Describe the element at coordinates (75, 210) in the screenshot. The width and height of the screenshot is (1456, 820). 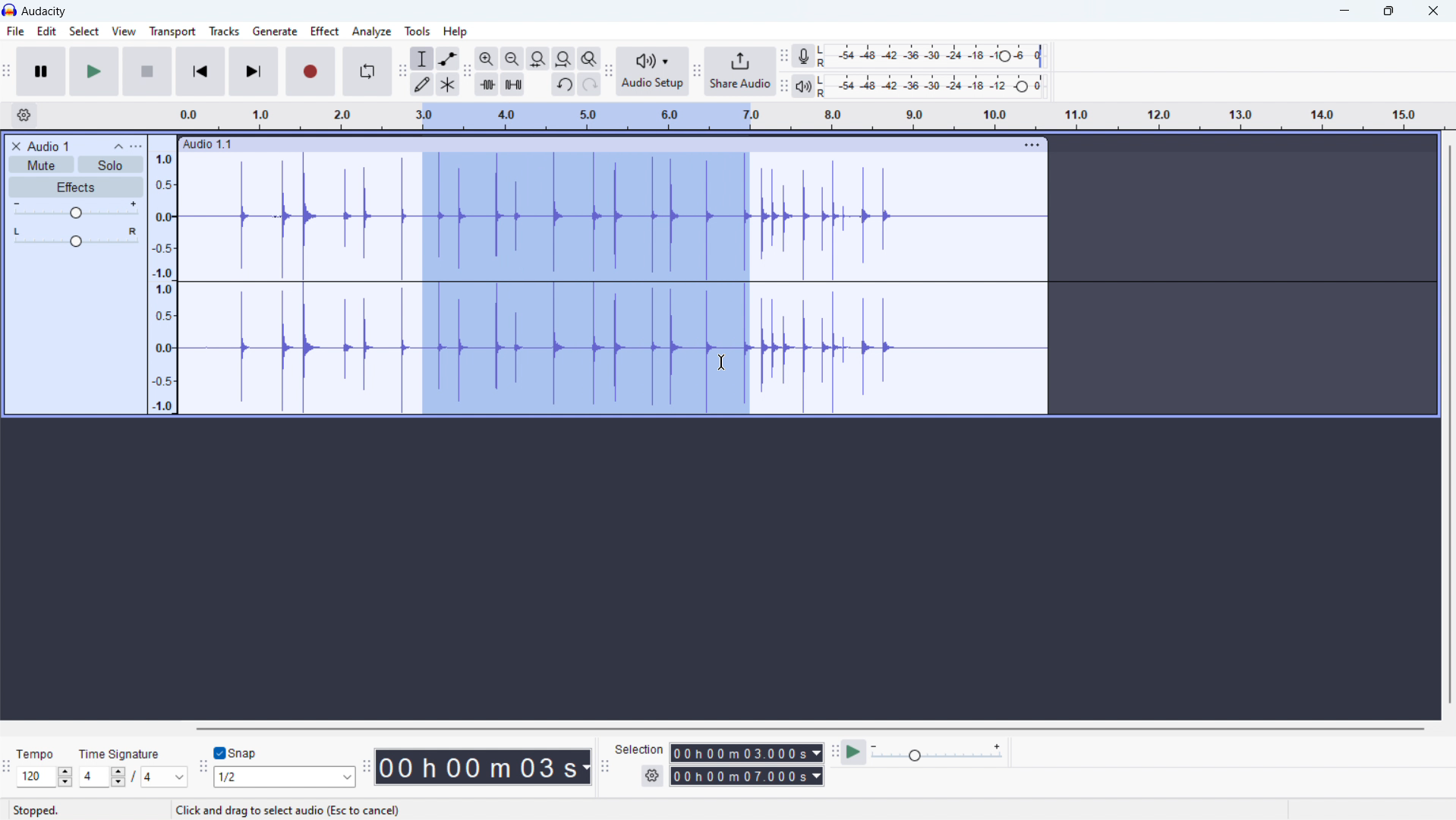
I see `volume` at that location.